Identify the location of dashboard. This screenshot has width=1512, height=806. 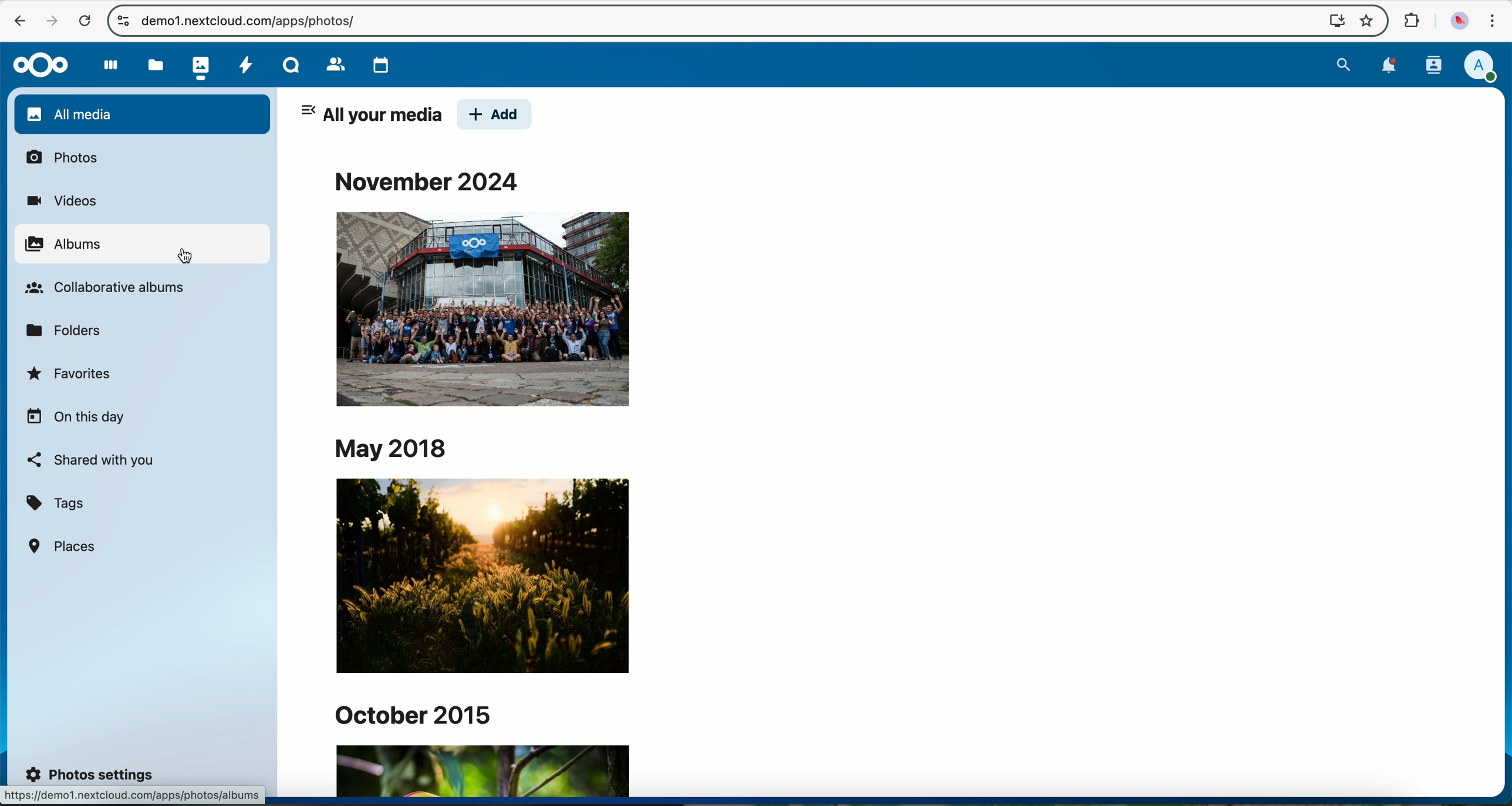
(105, 65).